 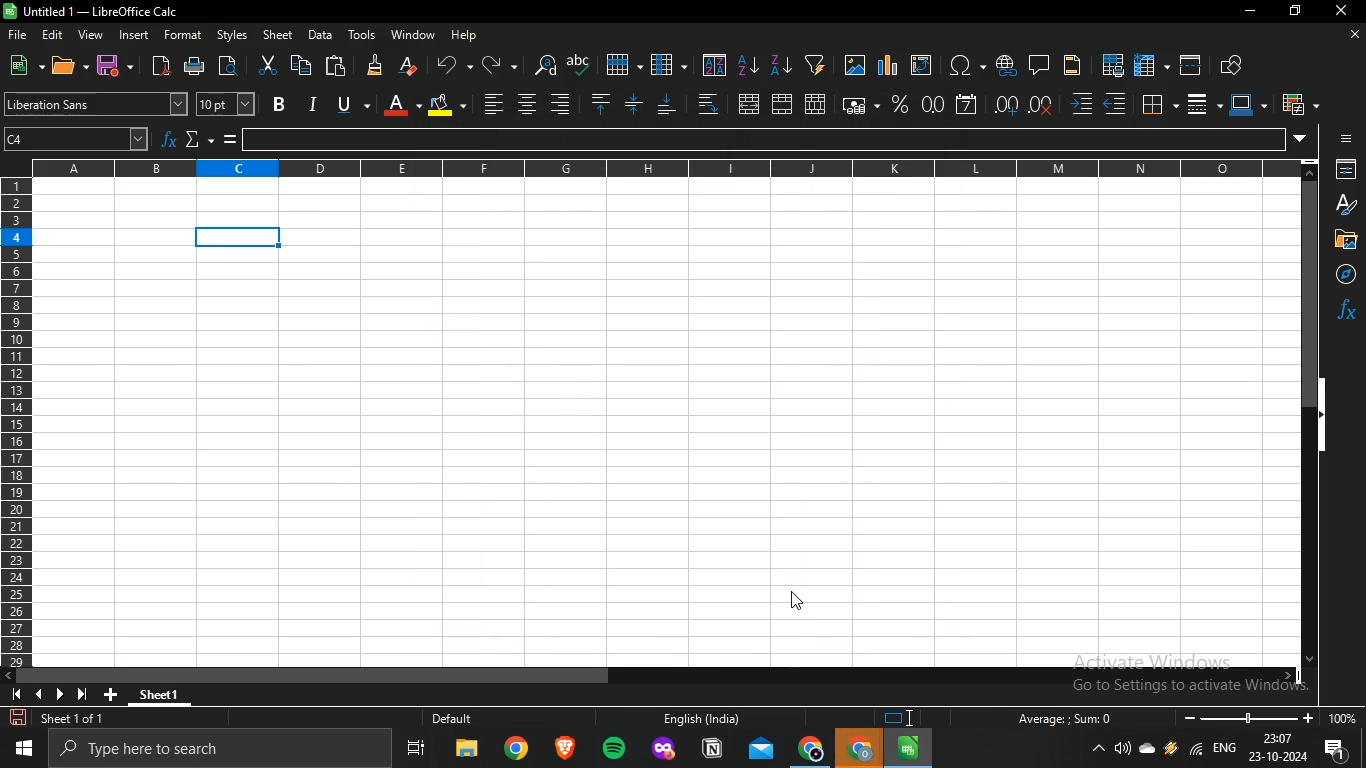 What do you see at coordinates (664, 750) in the screenshot?
I see `mozilla firefox` at bounding box center [664, 750].